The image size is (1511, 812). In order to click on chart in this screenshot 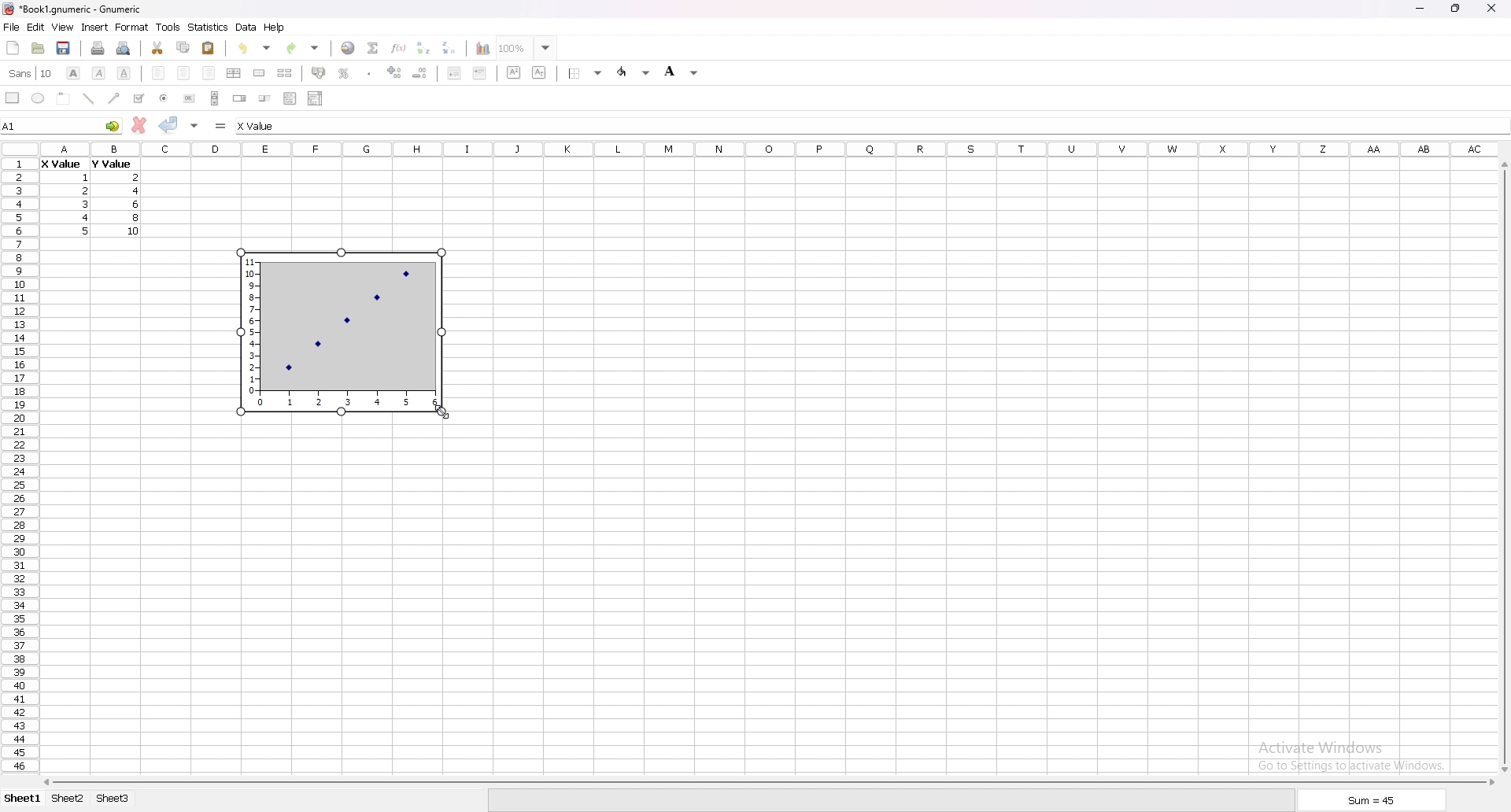, I will do `click(478, 49)`.